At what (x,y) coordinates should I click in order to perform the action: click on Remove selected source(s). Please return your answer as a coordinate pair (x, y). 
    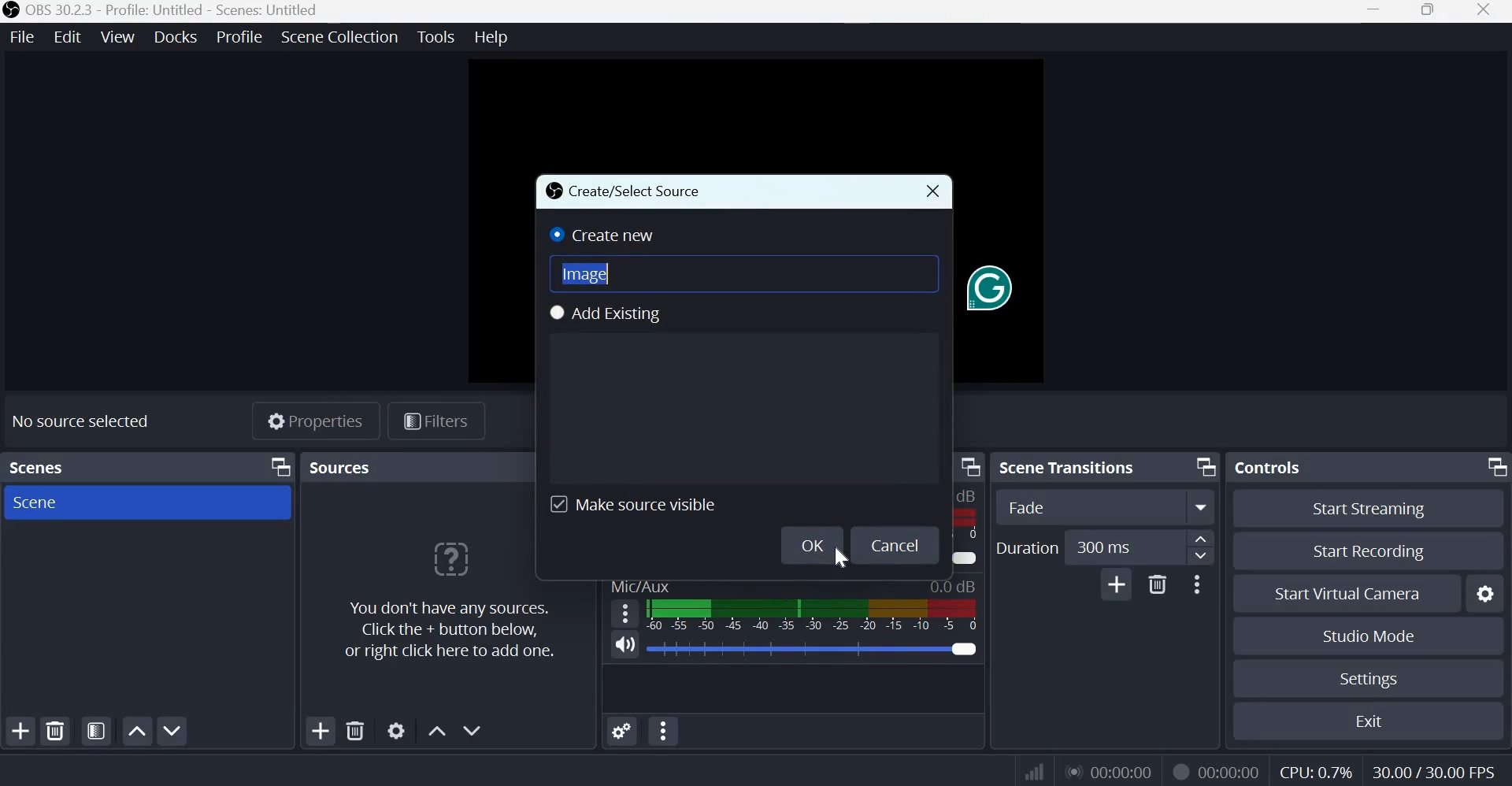
    Looking at the image, I should click on (357, 729).